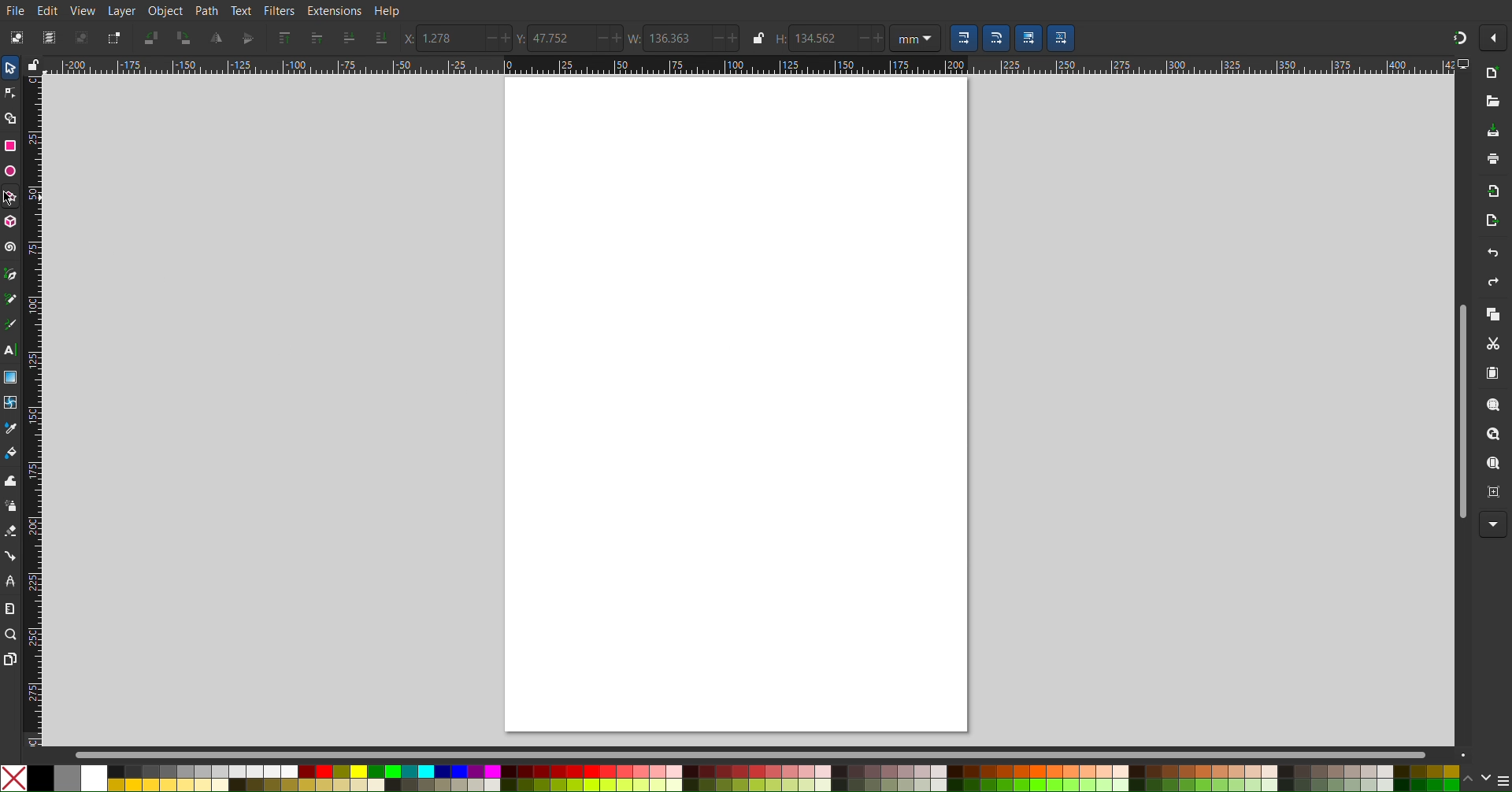 The height and width of the screenshot is (792, 1512). Describe the element at coordinates (15, 37) in the screenshot. I see `Select` at that location.